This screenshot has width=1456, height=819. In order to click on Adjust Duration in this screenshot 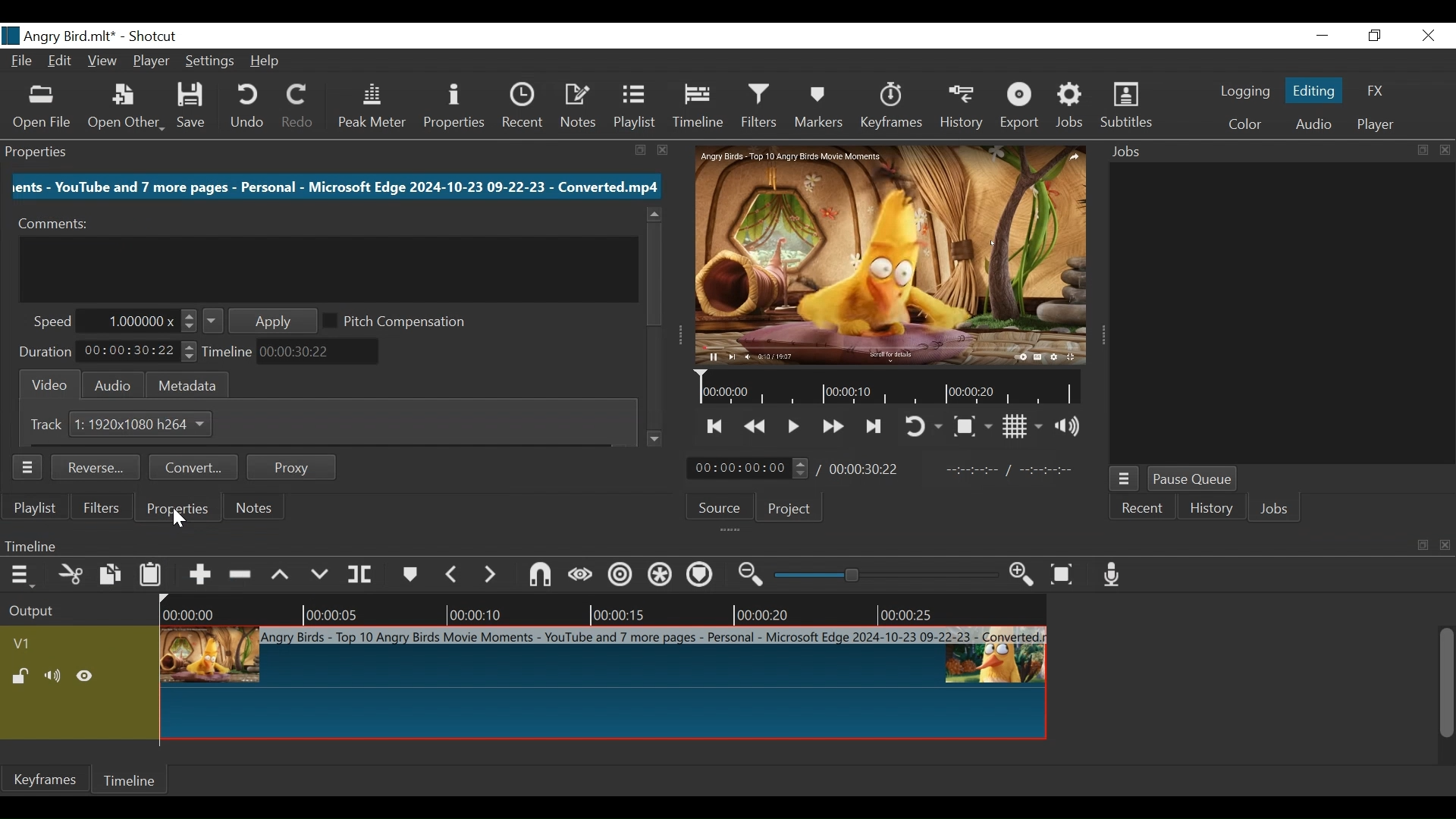, I will do `click(140, 351)`.